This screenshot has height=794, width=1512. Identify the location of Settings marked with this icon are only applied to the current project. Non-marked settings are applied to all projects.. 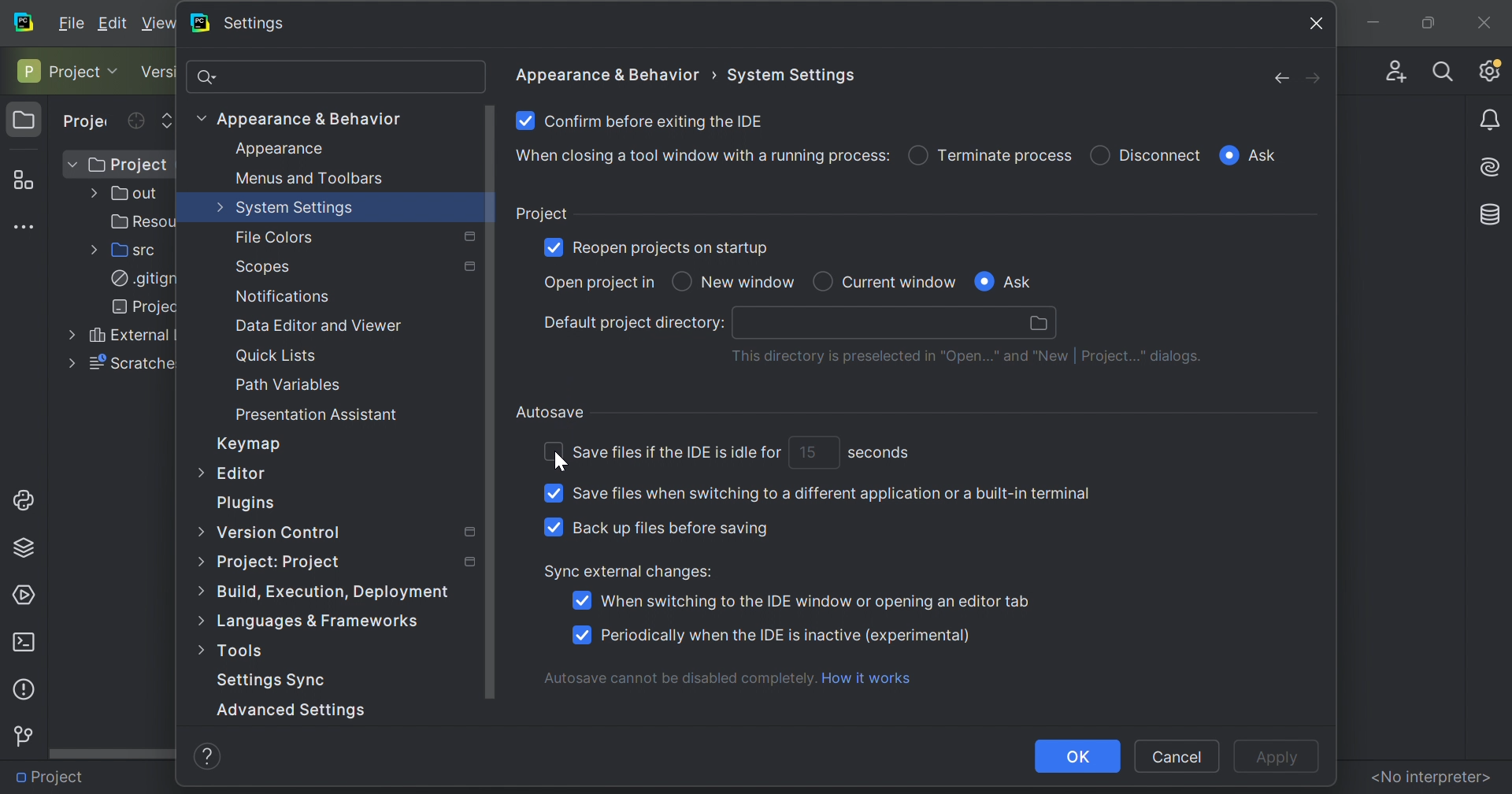
(468, 268).